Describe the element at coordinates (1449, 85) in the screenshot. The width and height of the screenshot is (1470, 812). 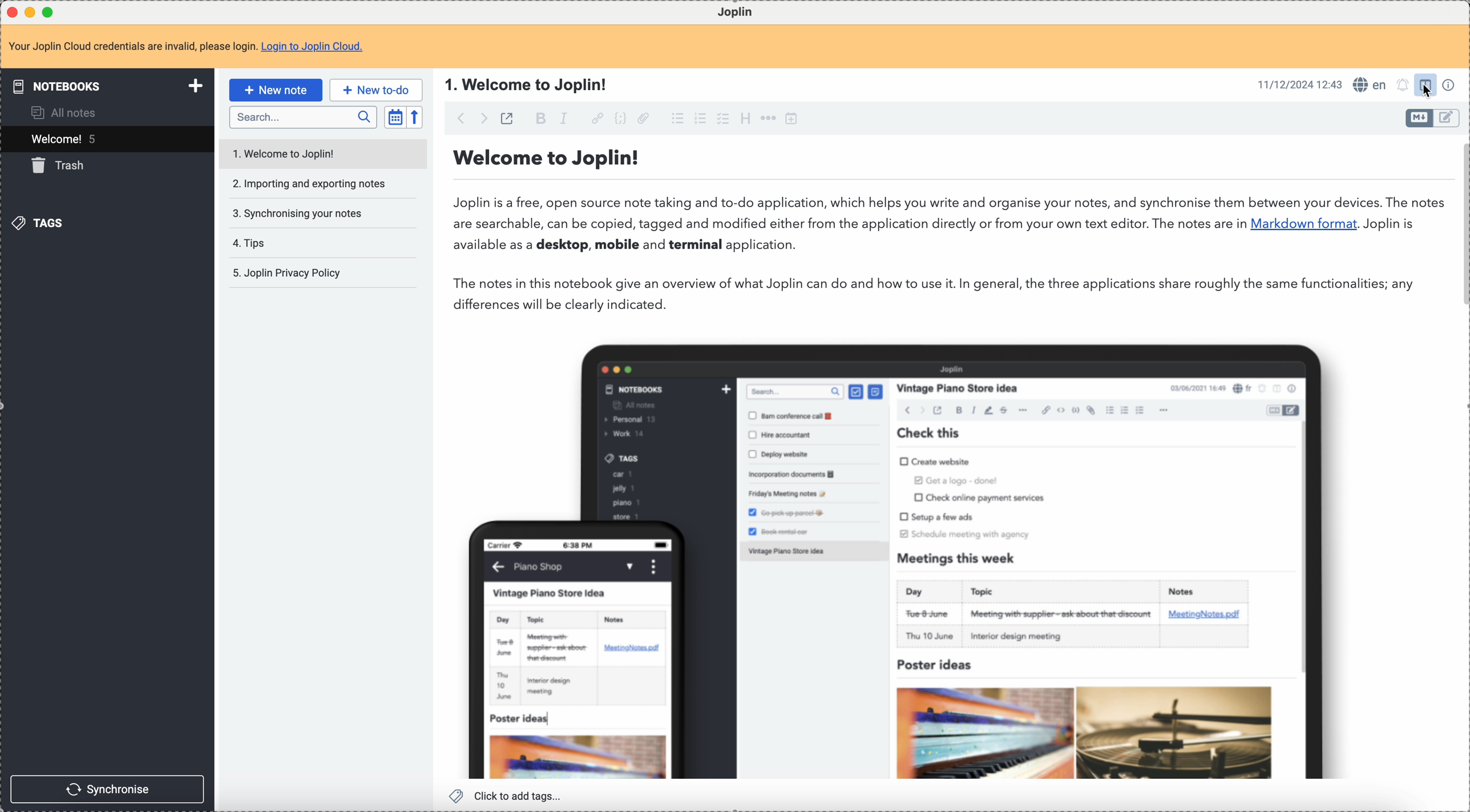
I see `note properties` at that location.